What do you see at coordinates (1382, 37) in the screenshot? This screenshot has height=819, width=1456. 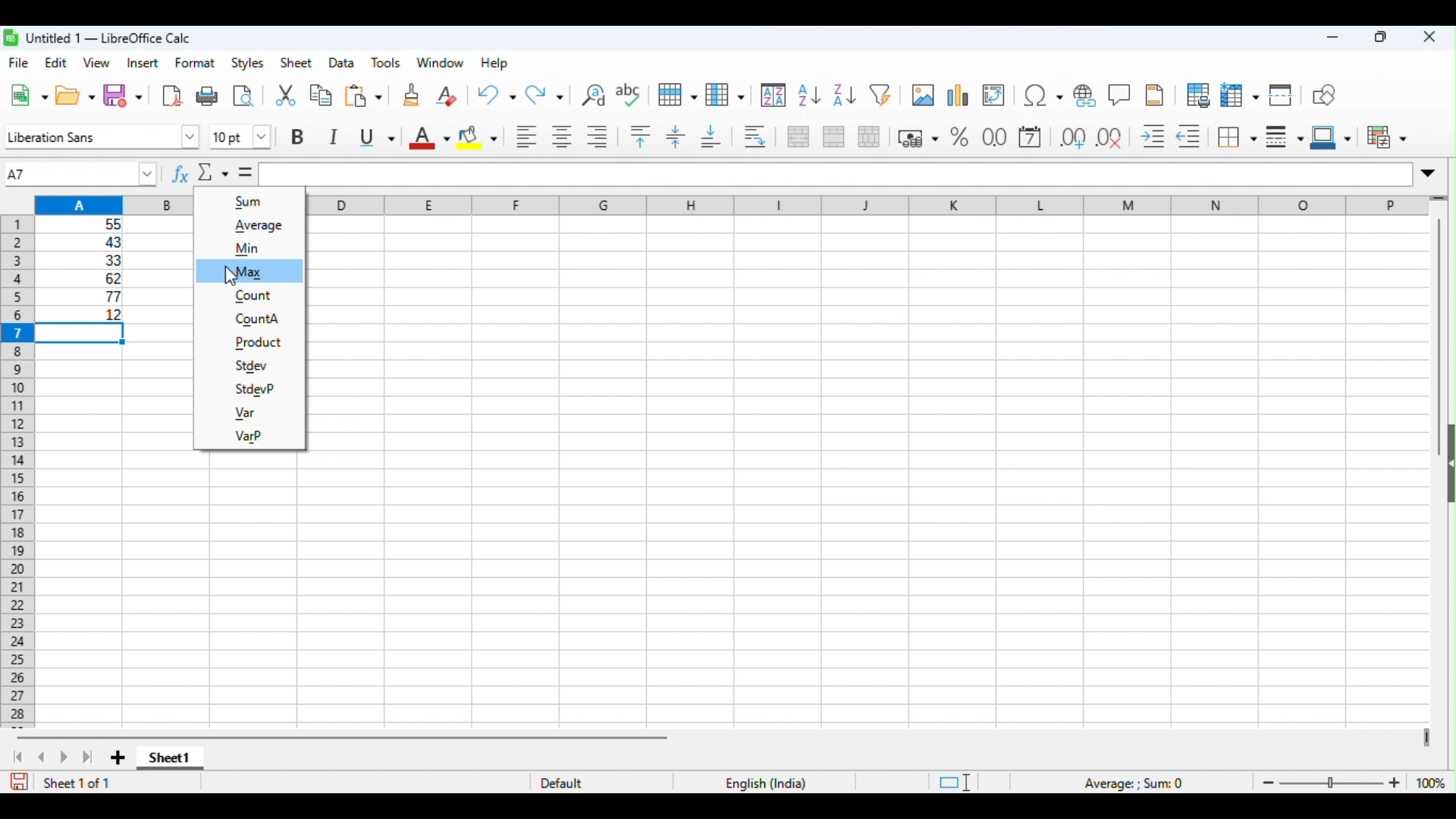 I see `maximize` at bounding box center [1382, 37].